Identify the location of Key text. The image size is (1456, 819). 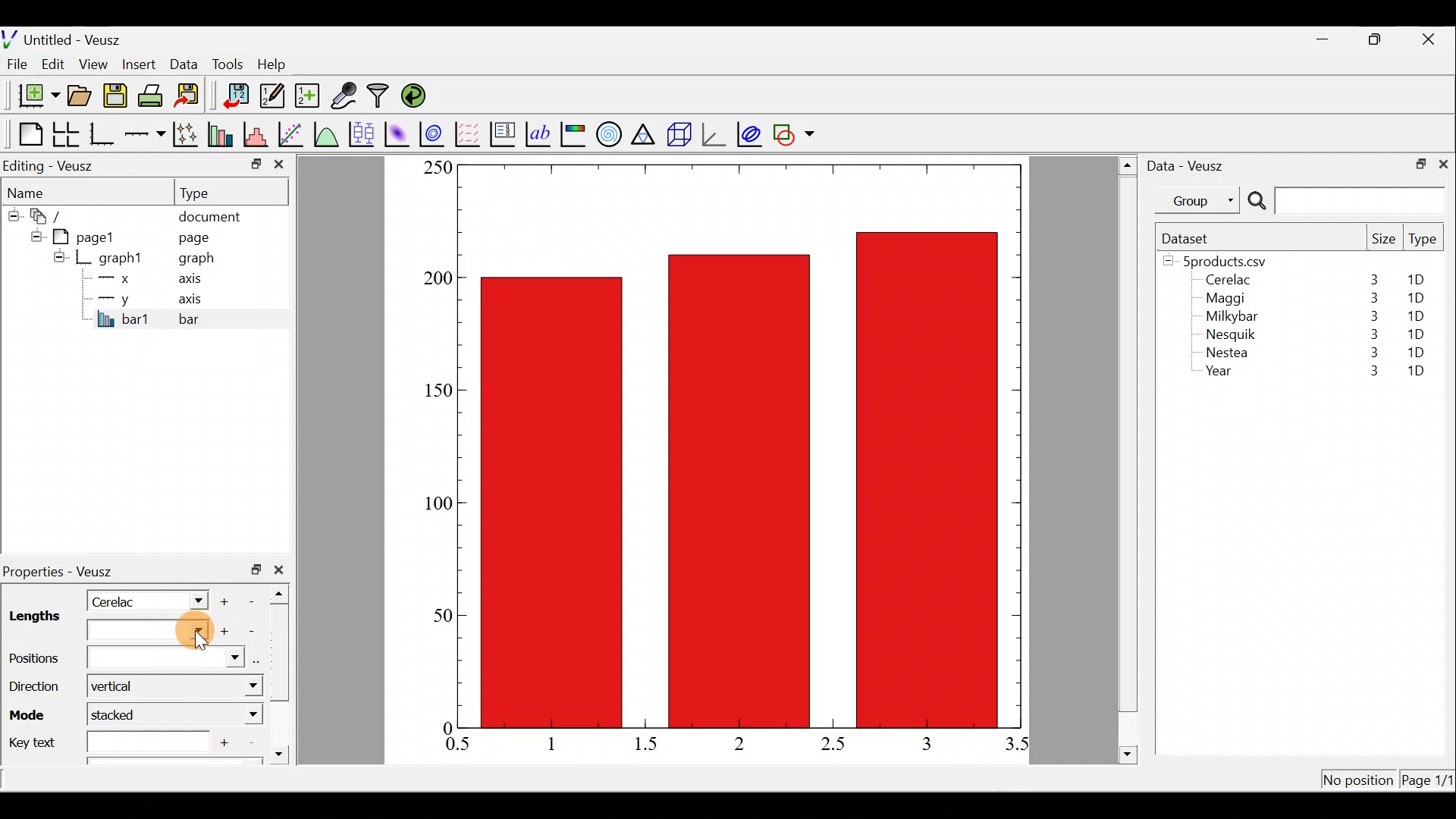
(105, 740).